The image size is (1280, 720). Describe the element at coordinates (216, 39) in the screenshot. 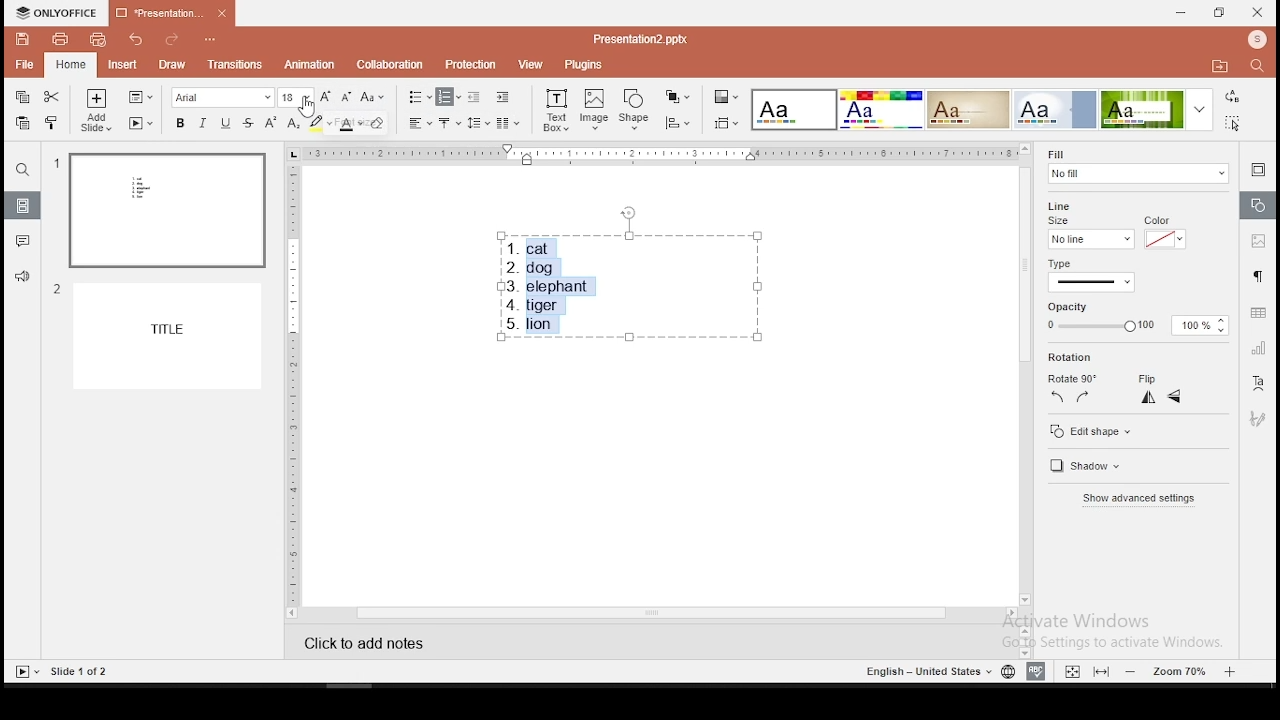

I see `customize quick access toolbar` at that location.